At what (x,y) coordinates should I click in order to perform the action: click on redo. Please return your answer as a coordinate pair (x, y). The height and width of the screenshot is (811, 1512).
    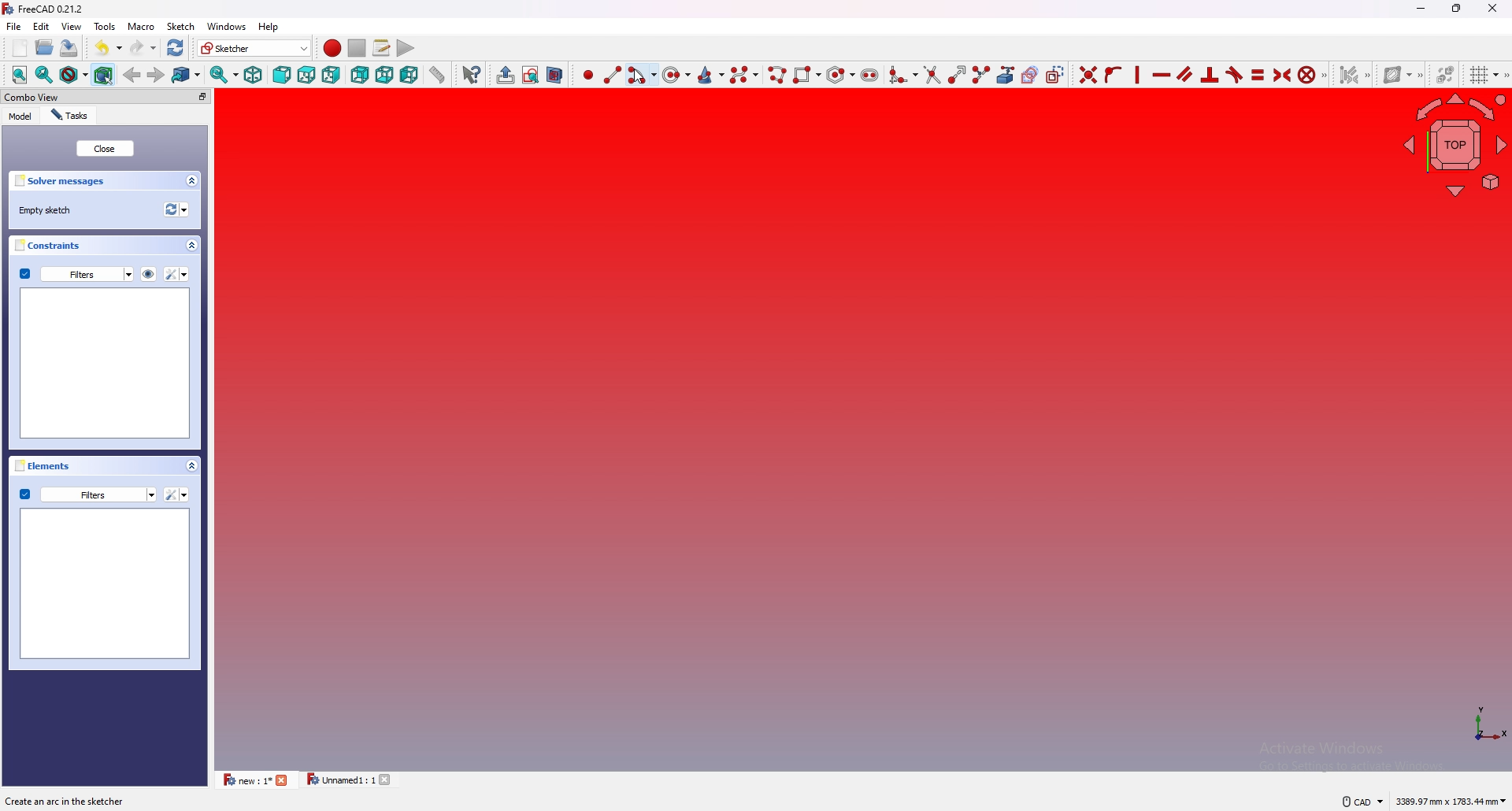
    Looking at the image, I should click on (145, 47).